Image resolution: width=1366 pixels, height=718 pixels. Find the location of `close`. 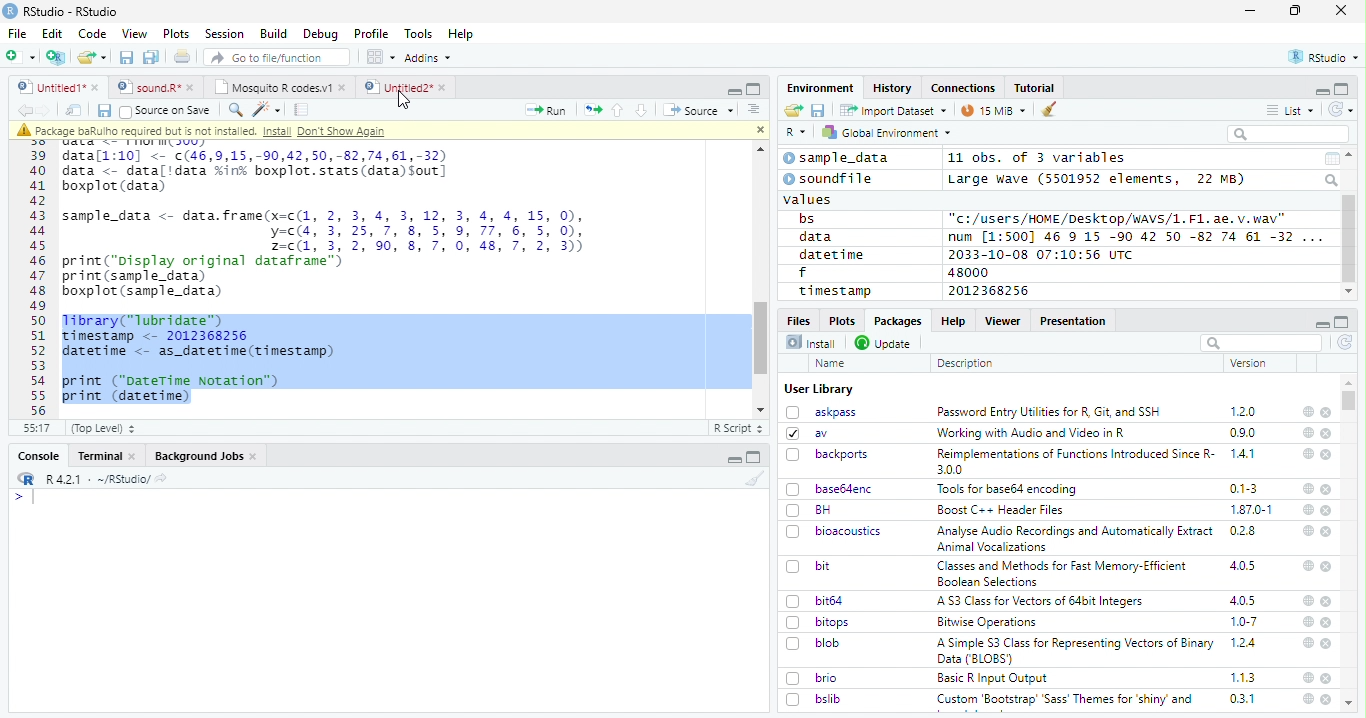

close is located at coordinates (1328, 644).